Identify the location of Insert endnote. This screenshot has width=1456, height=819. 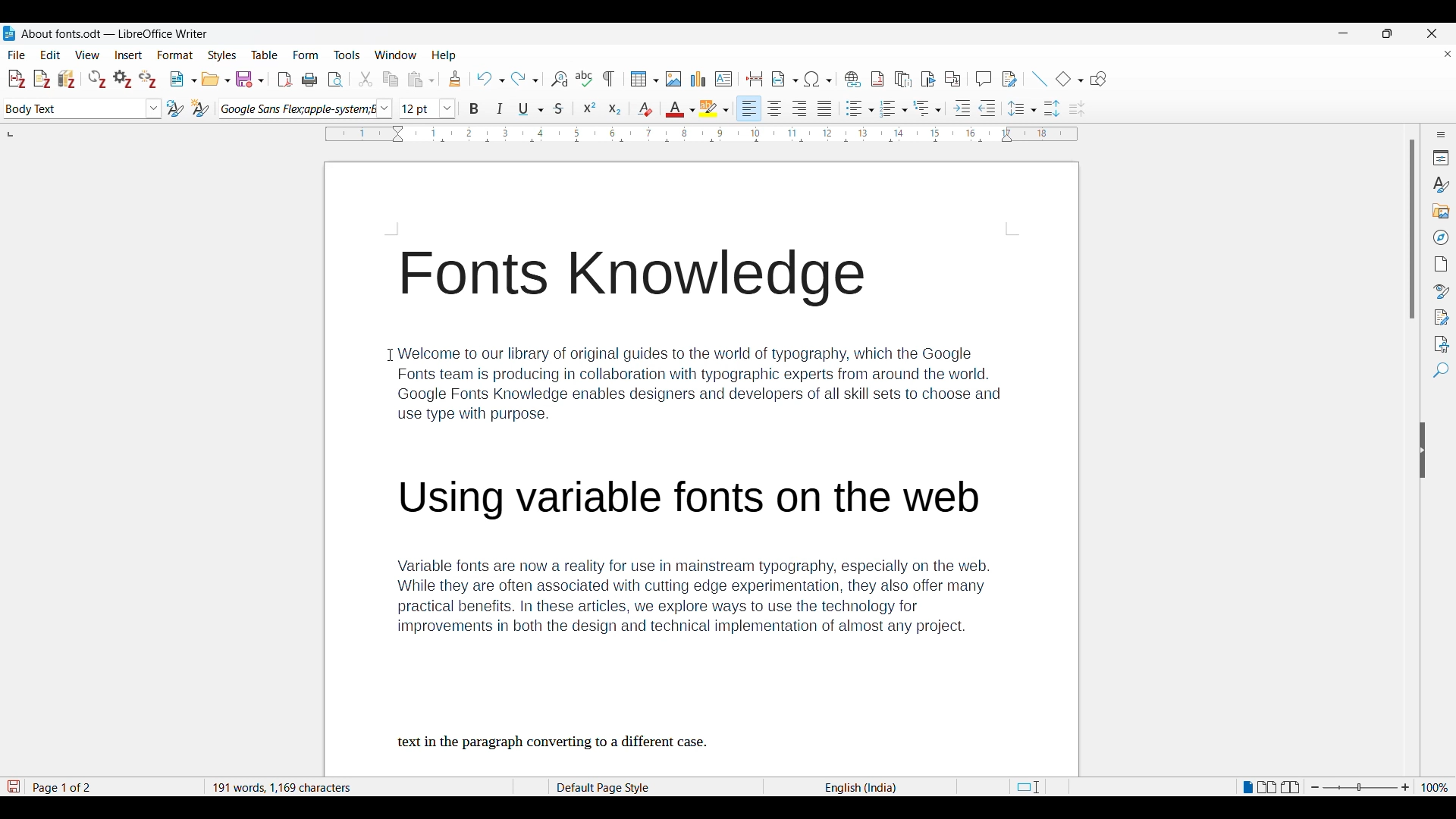
(903, 80).